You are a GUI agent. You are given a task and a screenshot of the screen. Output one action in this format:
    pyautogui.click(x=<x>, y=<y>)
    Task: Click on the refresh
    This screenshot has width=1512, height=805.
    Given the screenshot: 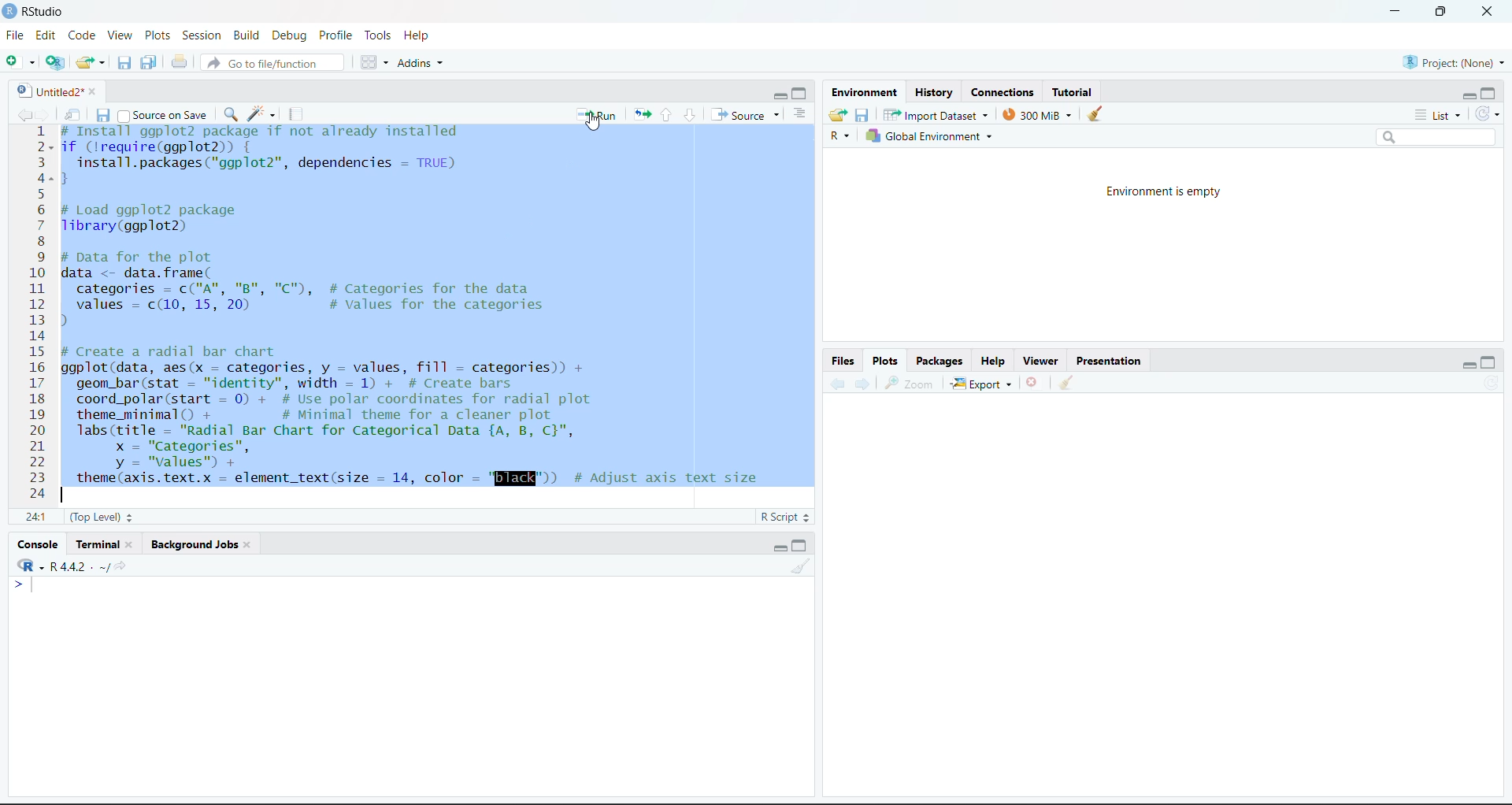 What is the action you would take?
    pyautogui.click(x=1489, y=116)
    